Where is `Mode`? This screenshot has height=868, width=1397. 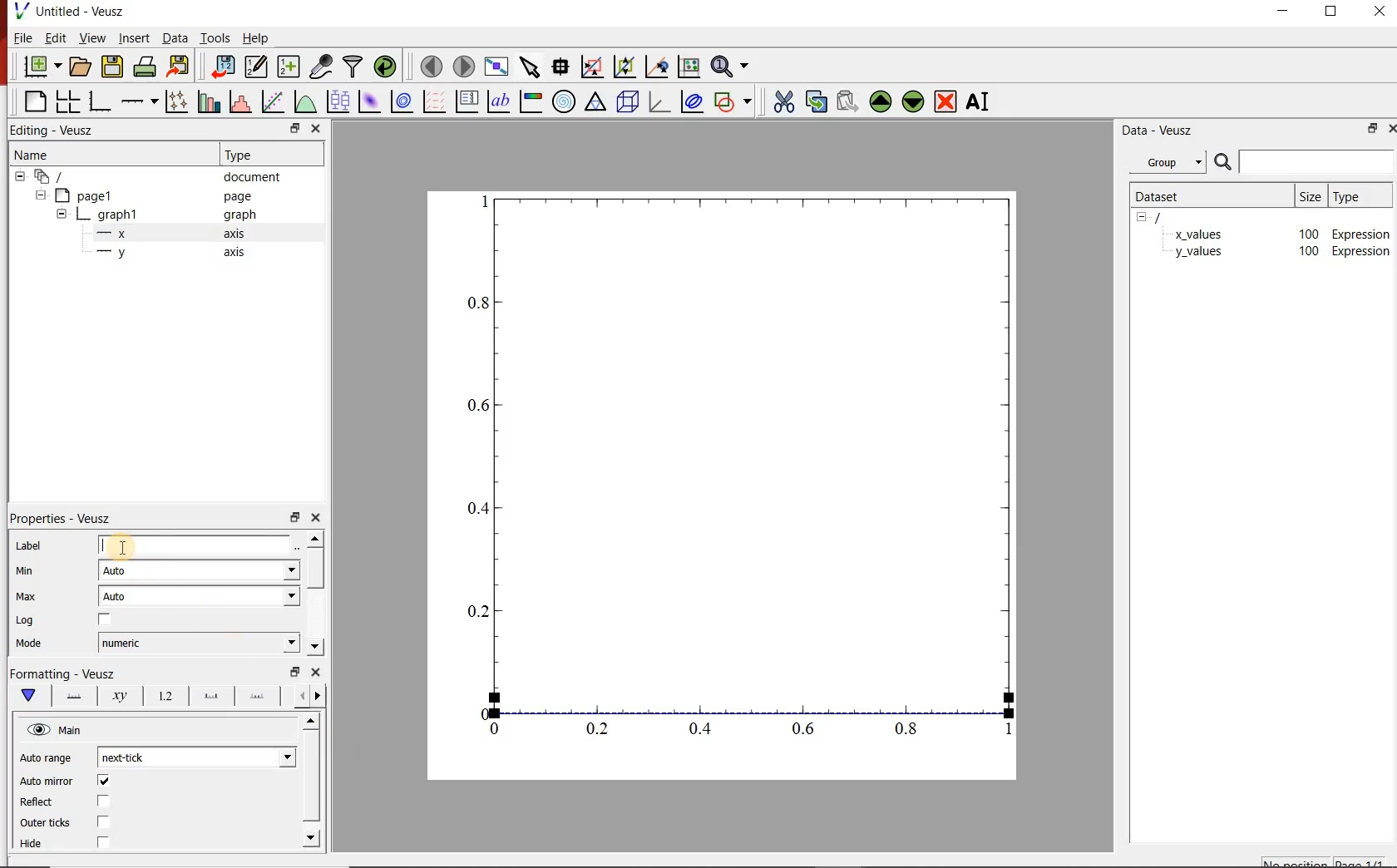 Mode is located at coordinates (29, 643).